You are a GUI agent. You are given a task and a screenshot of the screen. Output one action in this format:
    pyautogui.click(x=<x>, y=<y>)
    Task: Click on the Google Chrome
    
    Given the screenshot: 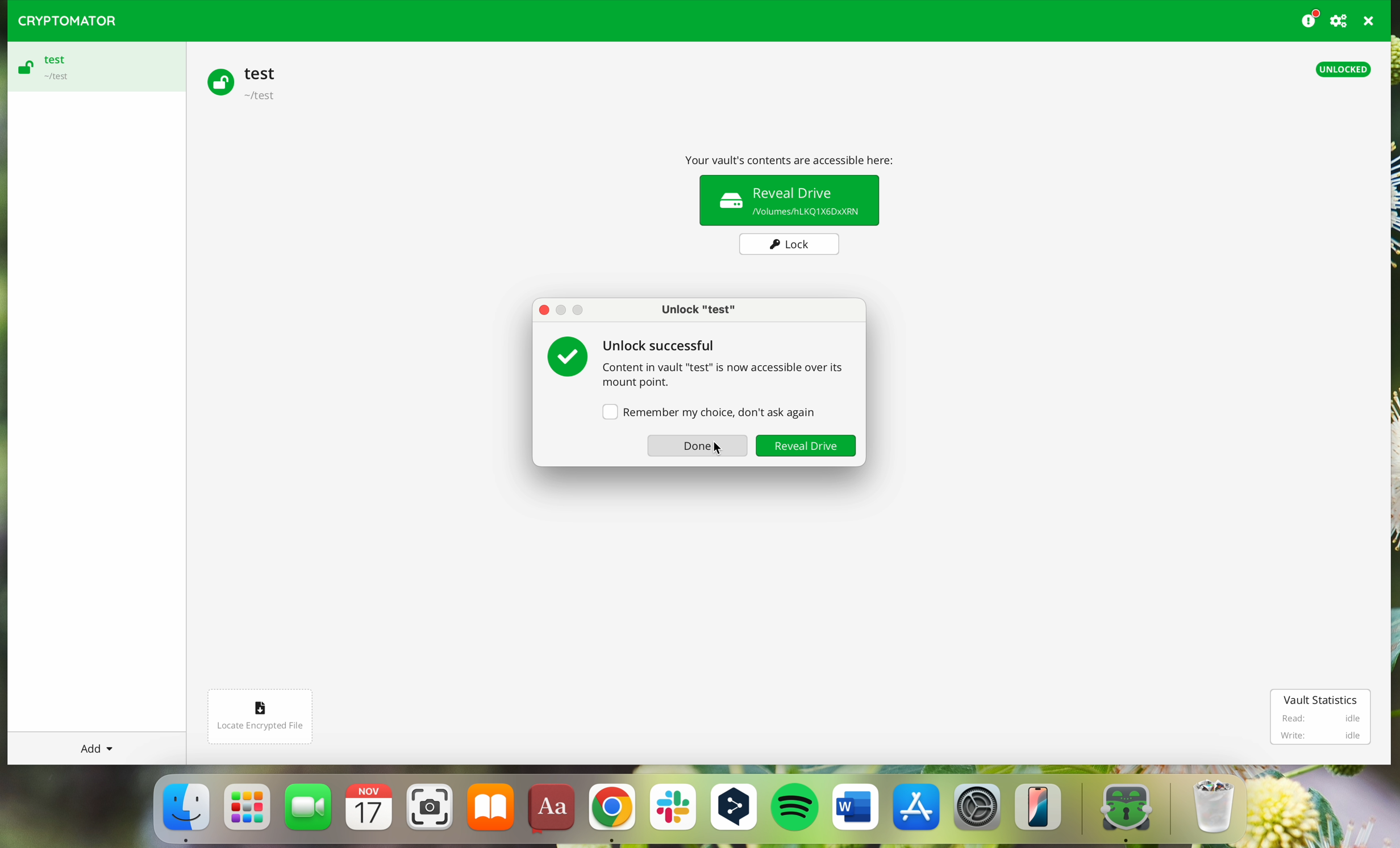 What is the action you would take?
    pyautogui.click(x=611, y=813)
    